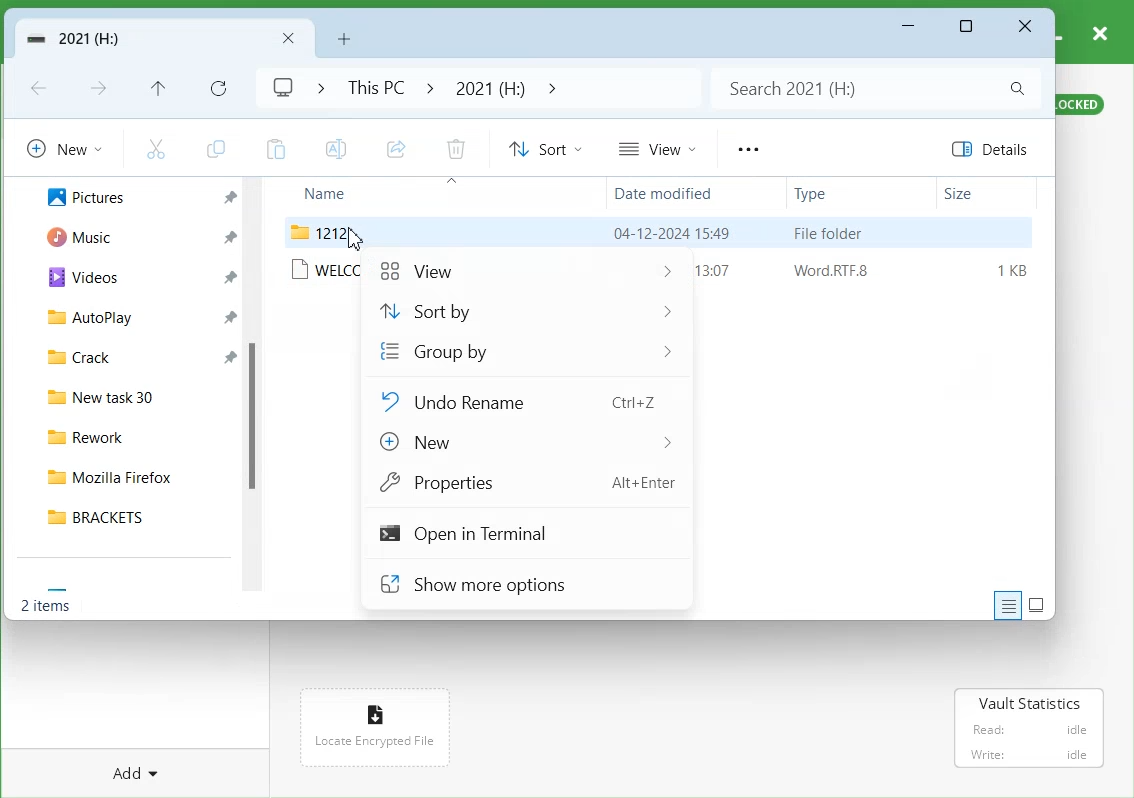 The height and width of the screenshot is (798, 1134). Describe the element at coordinates (835, 272) in the screenshot. I see `Word RTF.8` at that location.